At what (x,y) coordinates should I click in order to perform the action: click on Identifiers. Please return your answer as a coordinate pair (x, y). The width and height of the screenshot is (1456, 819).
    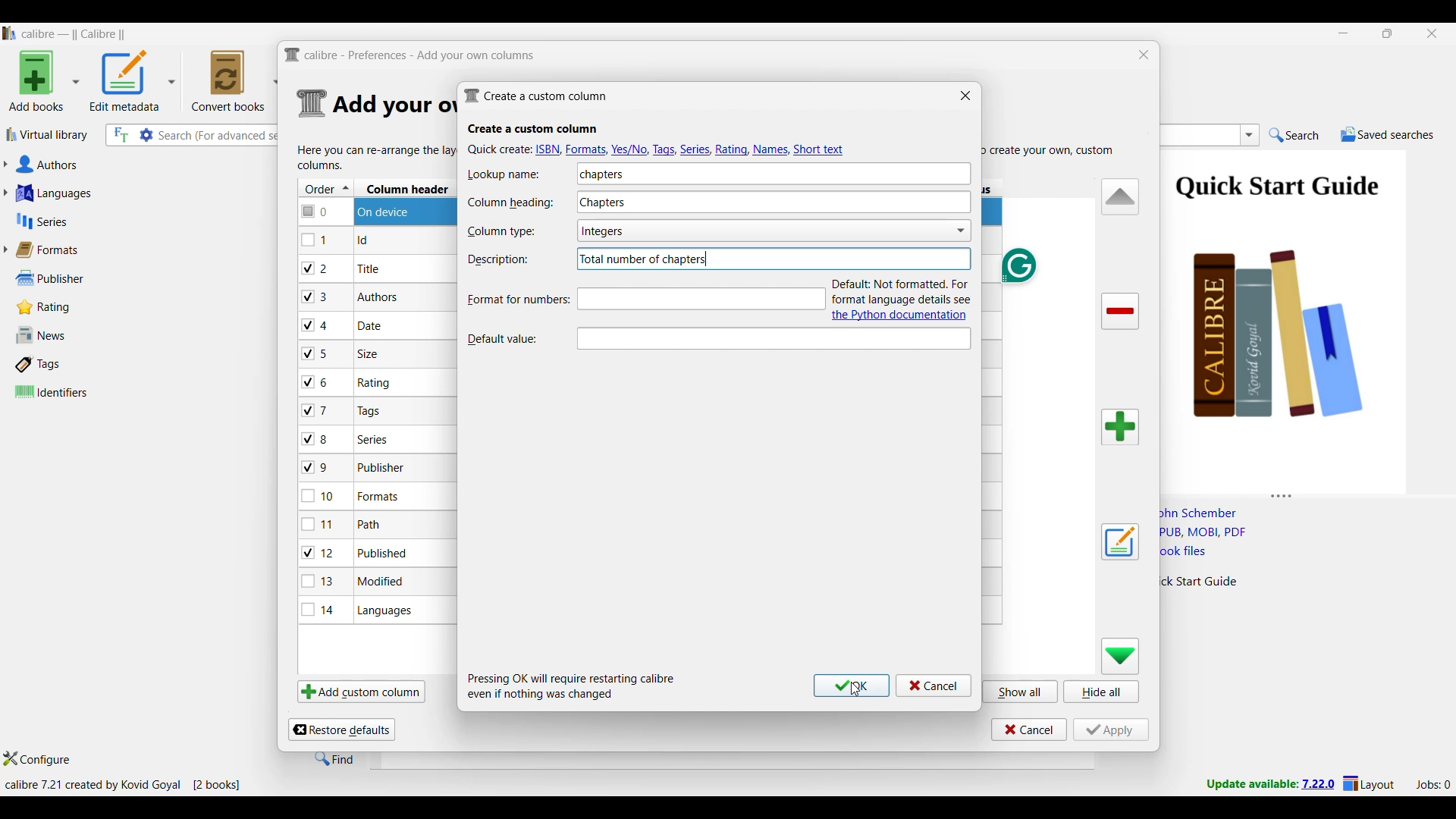
    Looking at the image, I should click on (74, 391).